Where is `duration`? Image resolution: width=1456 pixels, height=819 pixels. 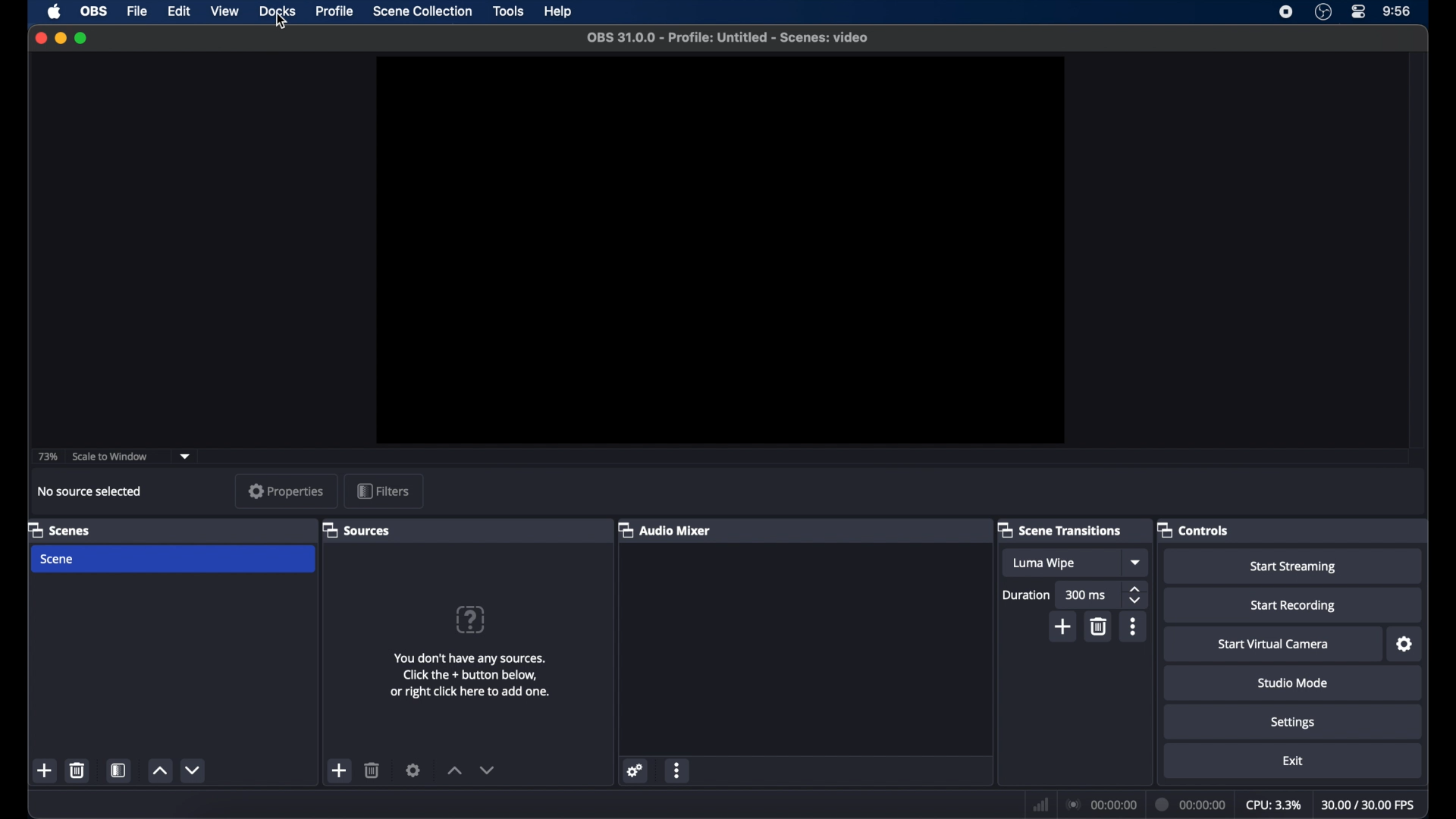 duration is located at coordinates (1190, 805).